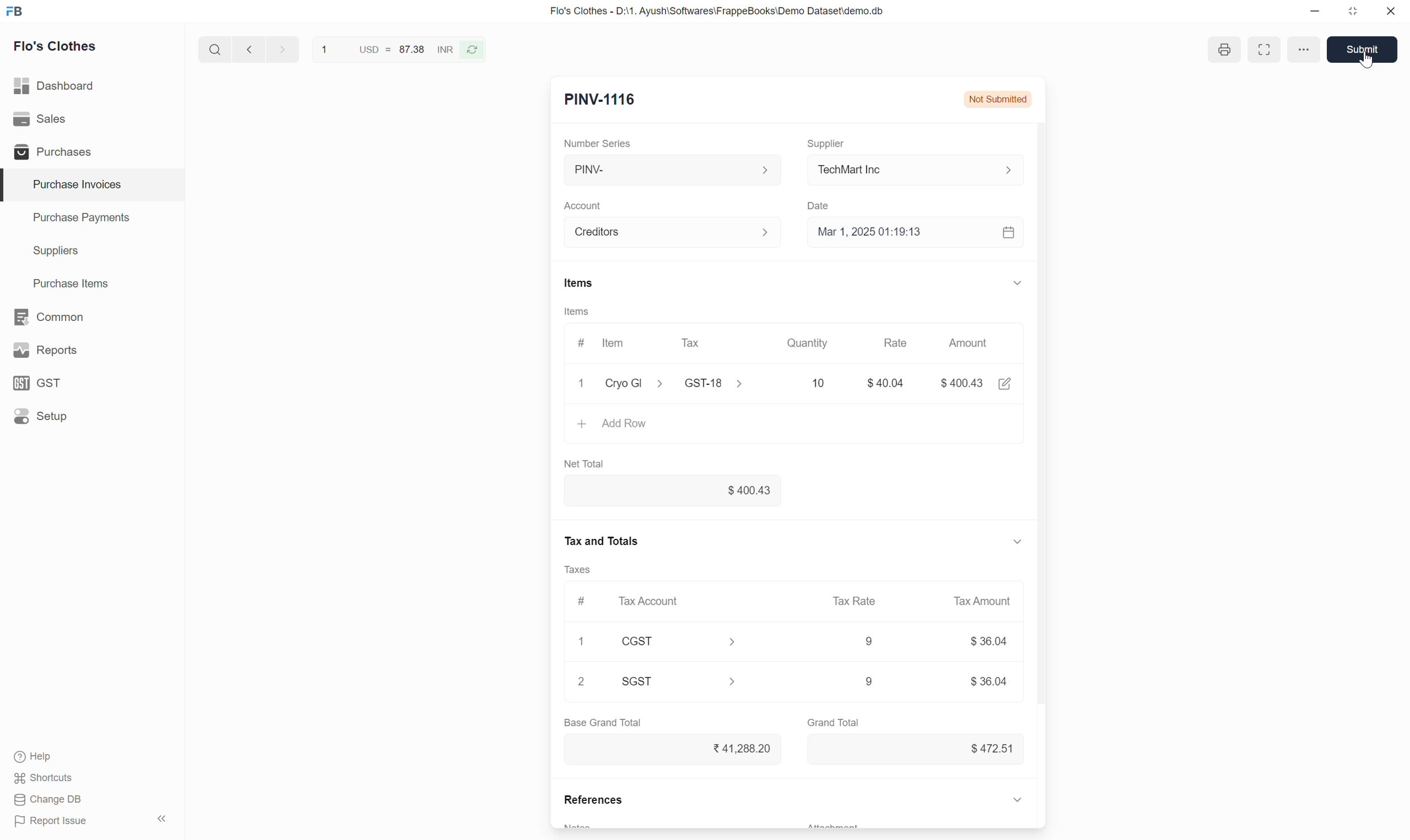 The width and height of the screenshot is (1410, 840). I want to click on y Reports, so click(45, 351).